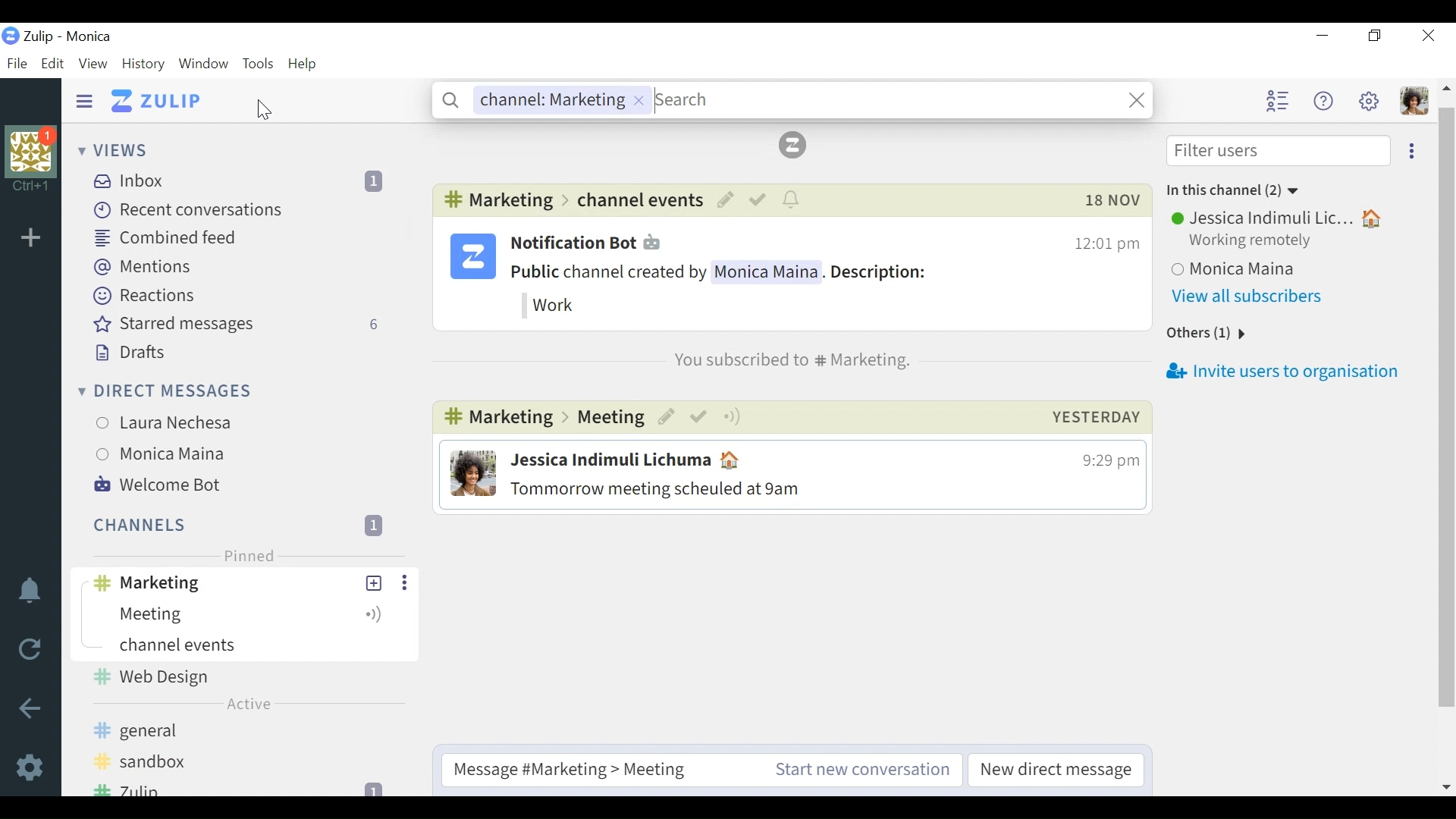 The image size is (1456, 819). What do you see at coordinates (303, 63) in the screenshot?
I see `Help` at bounding box center [303, 63].